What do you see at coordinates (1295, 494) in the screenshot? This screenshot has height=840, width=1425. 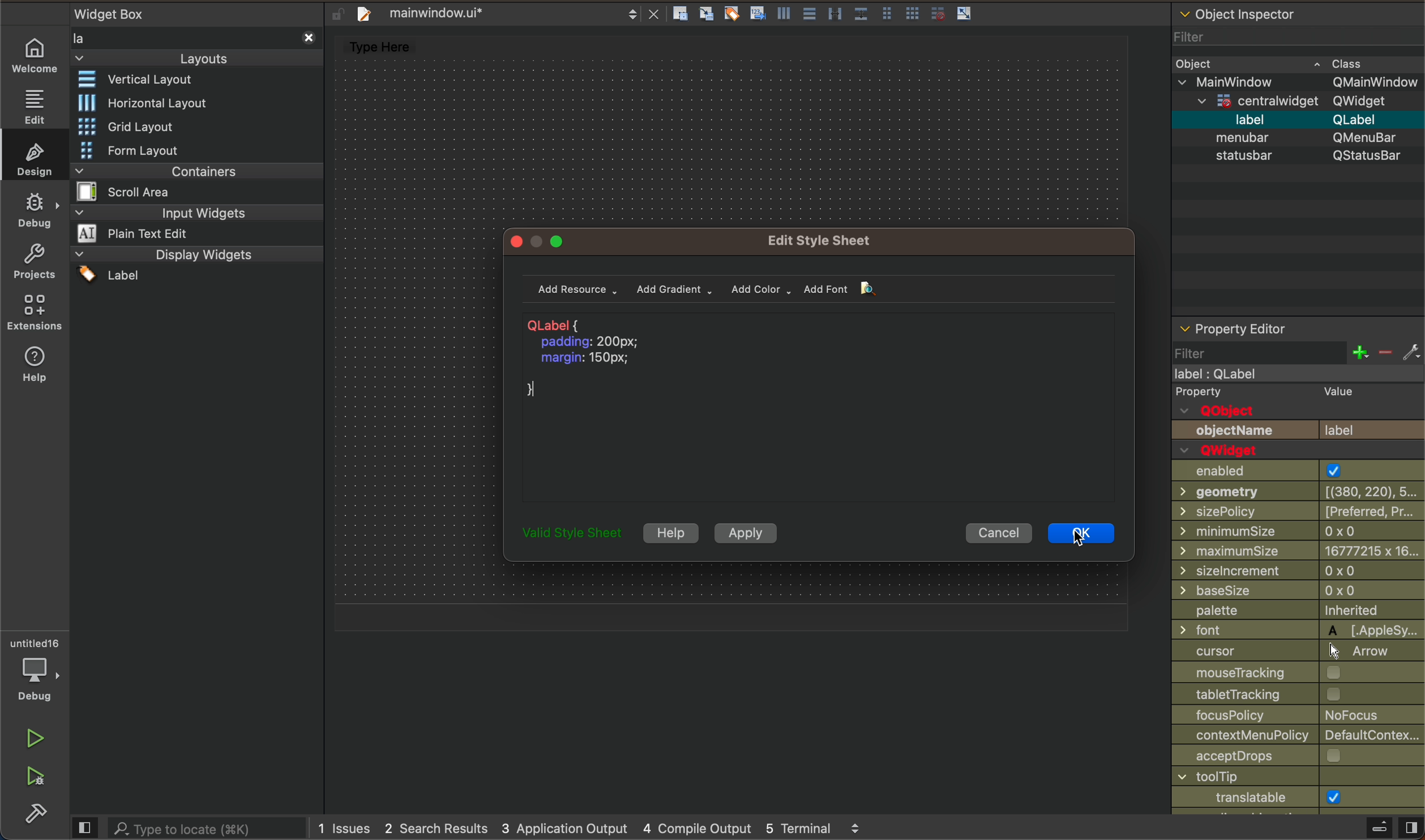 I see `` at bounding box center [1295, 494].